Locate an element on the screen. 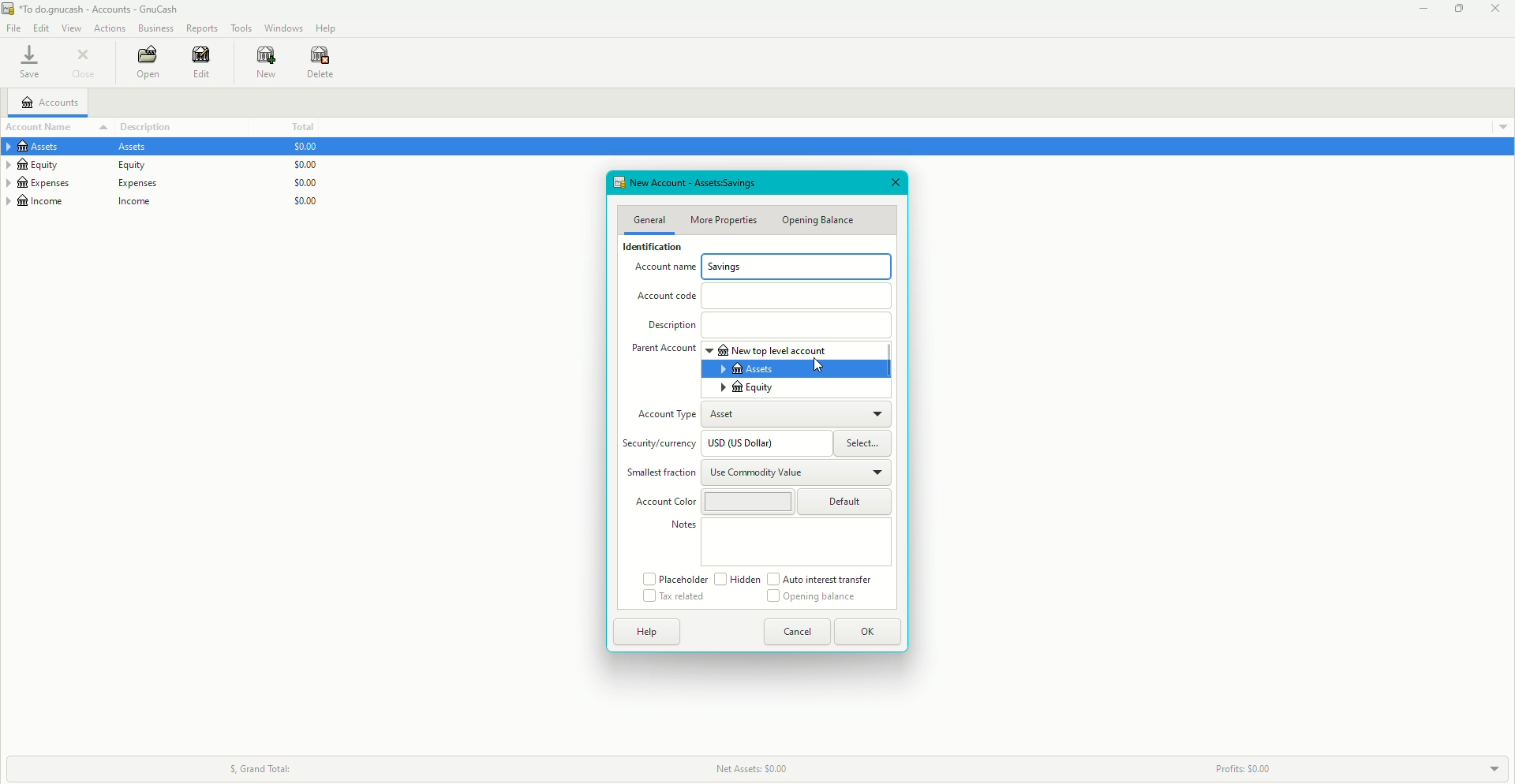  Tools is located at coordinates (241, 28).